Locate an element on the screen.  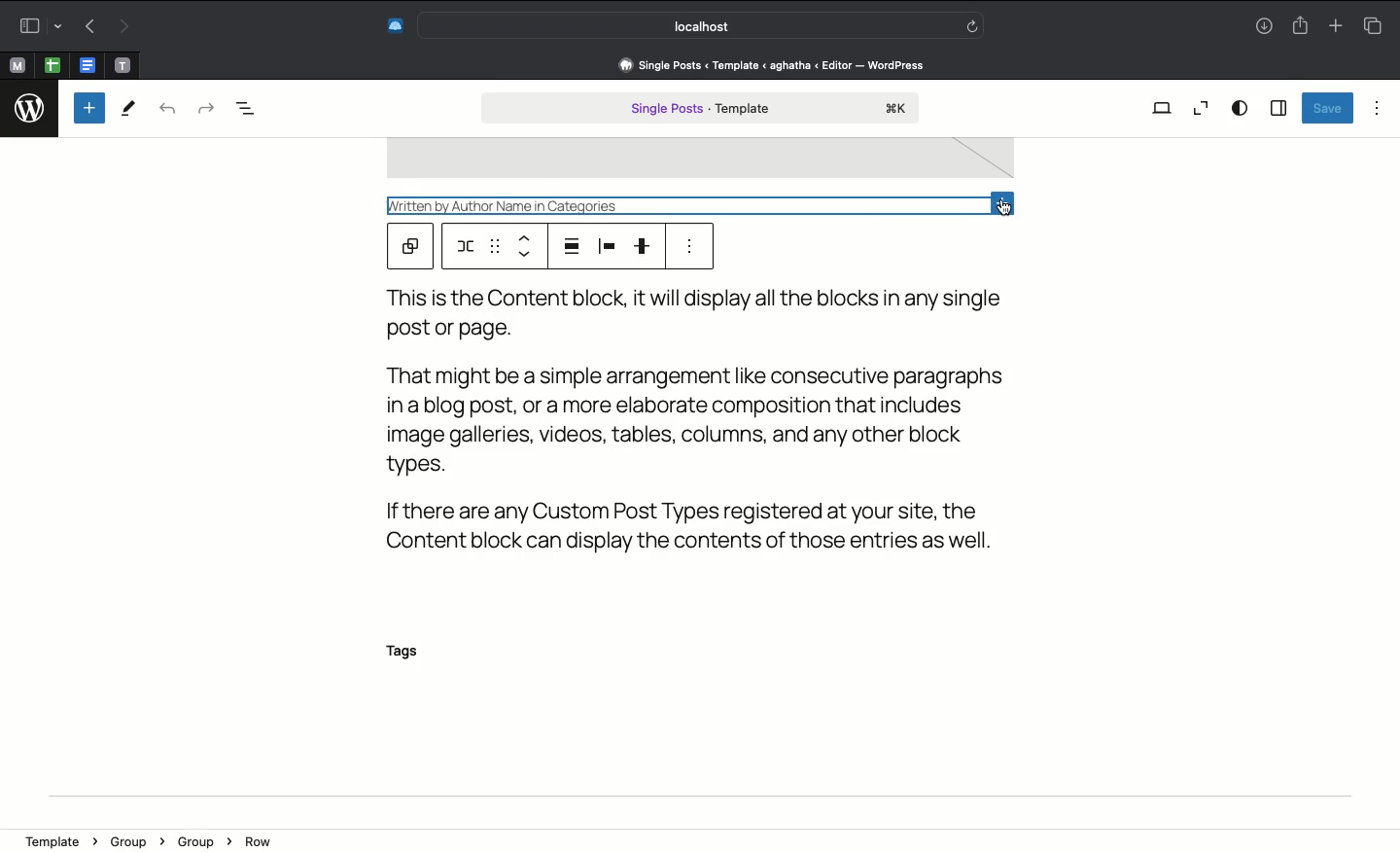
Tools is located at coordinates (129, 111).